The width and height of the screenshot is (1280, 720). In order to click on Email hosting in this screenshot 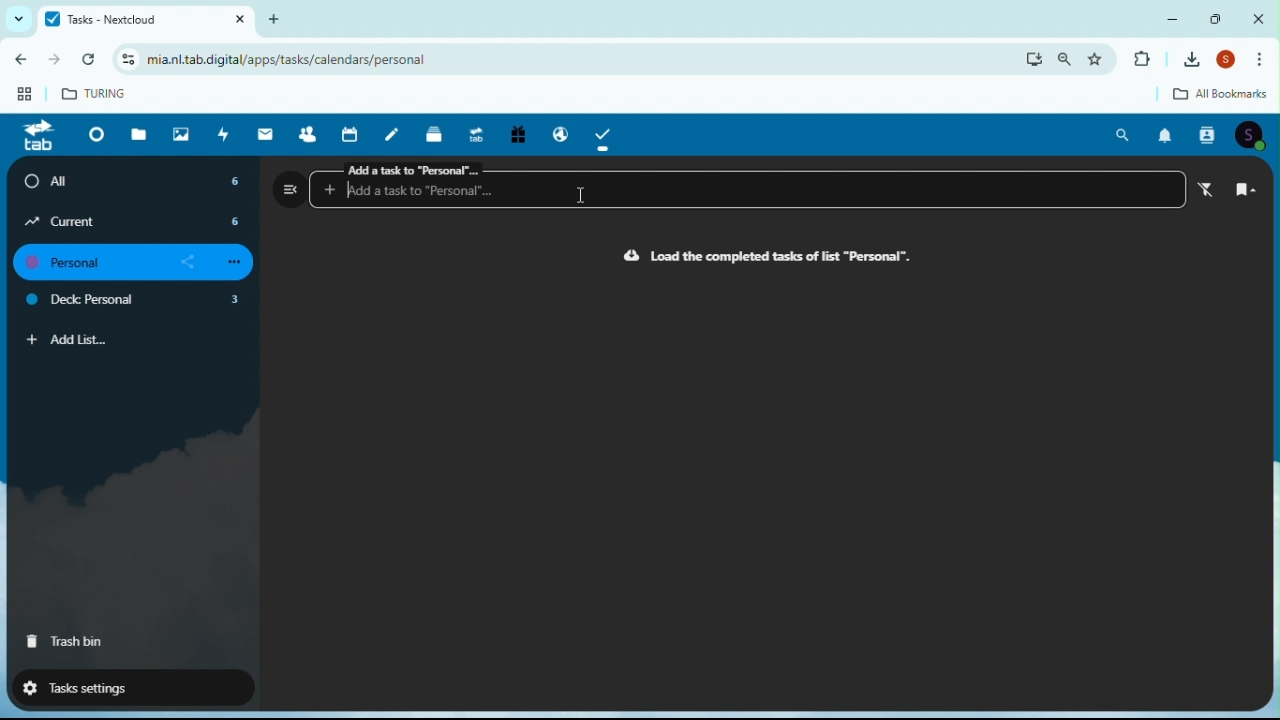, I will do `click(556, 131)`.